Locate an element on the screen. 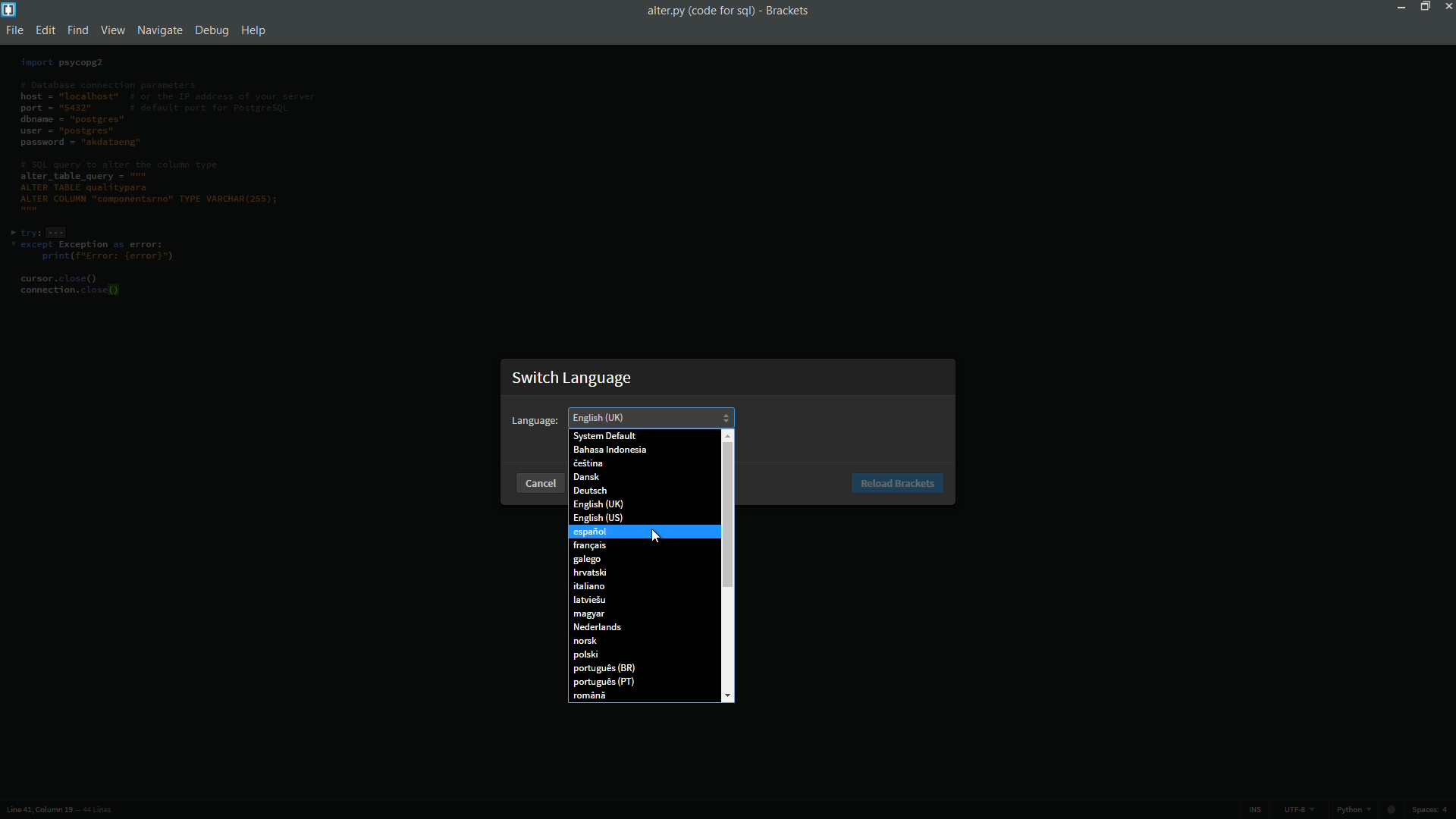  hrvatski is located at coordinates (644, 572).